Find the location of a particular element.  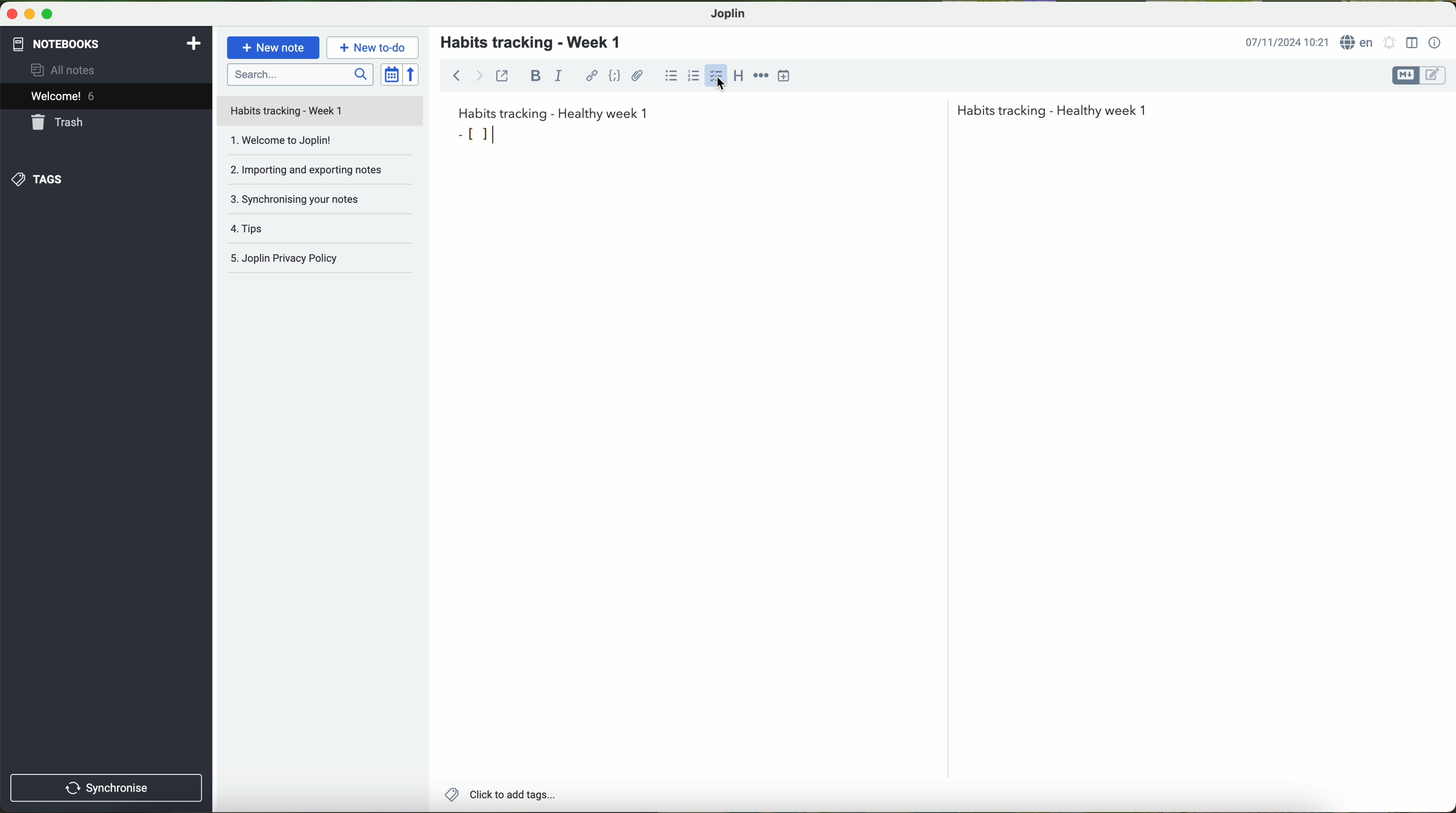

welcome 5 is located at coordinates (63, 96).